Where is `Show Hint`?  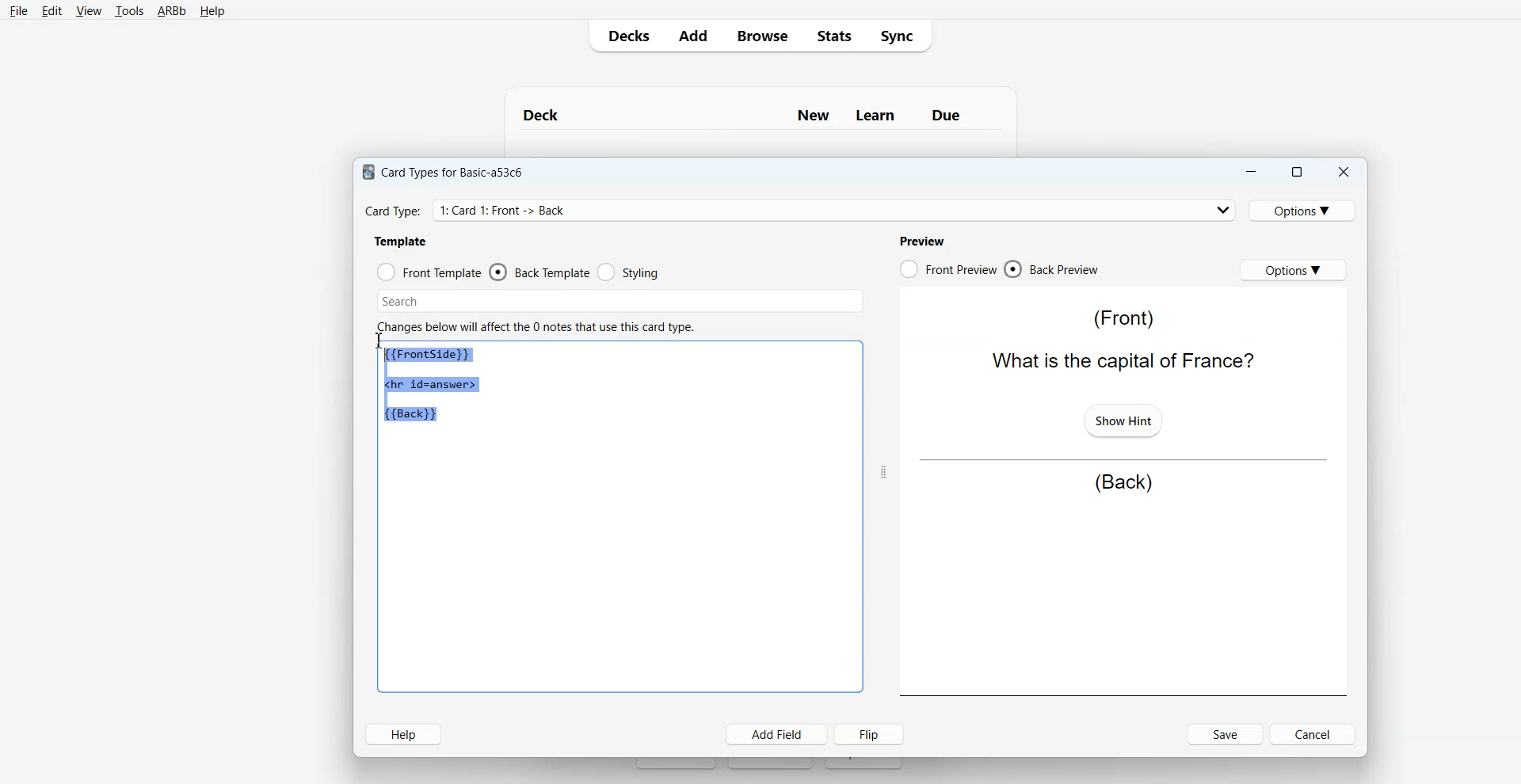
Show Hint is located at coordinates (1122, 419).